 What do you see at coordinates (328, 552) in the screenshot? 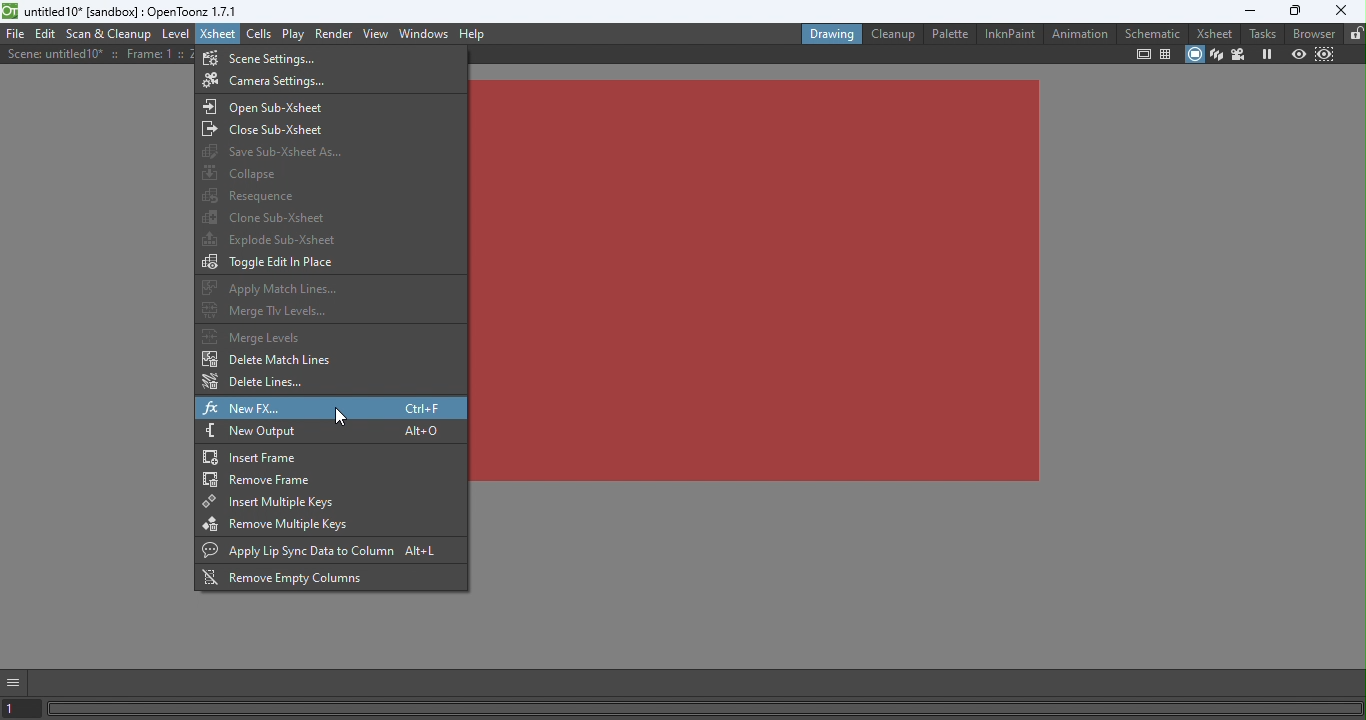
I see `Apply Lip sync data to column` at bounding box center [328, 552].